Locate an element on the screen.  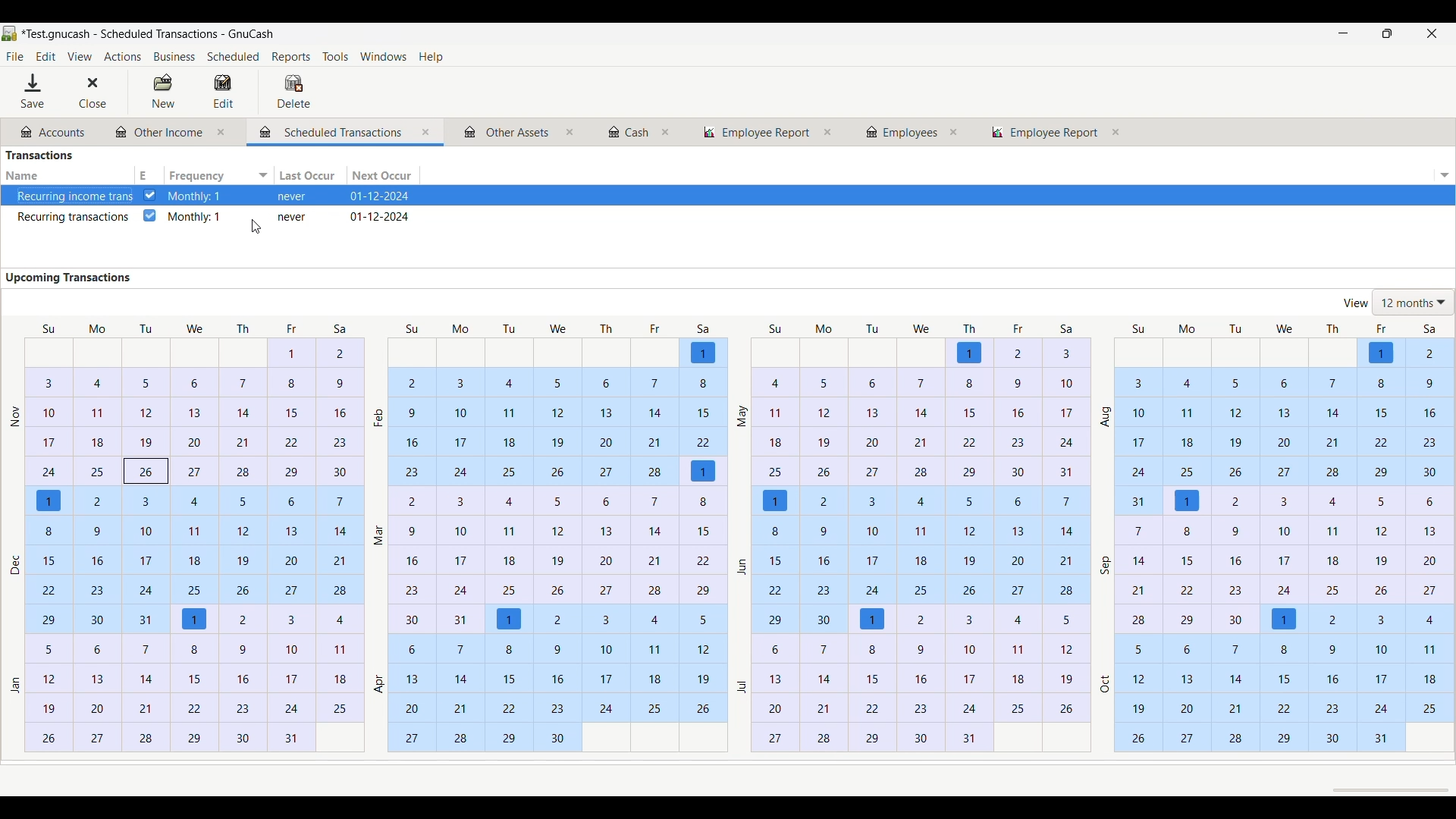
 is located at coordinates (755, 133).